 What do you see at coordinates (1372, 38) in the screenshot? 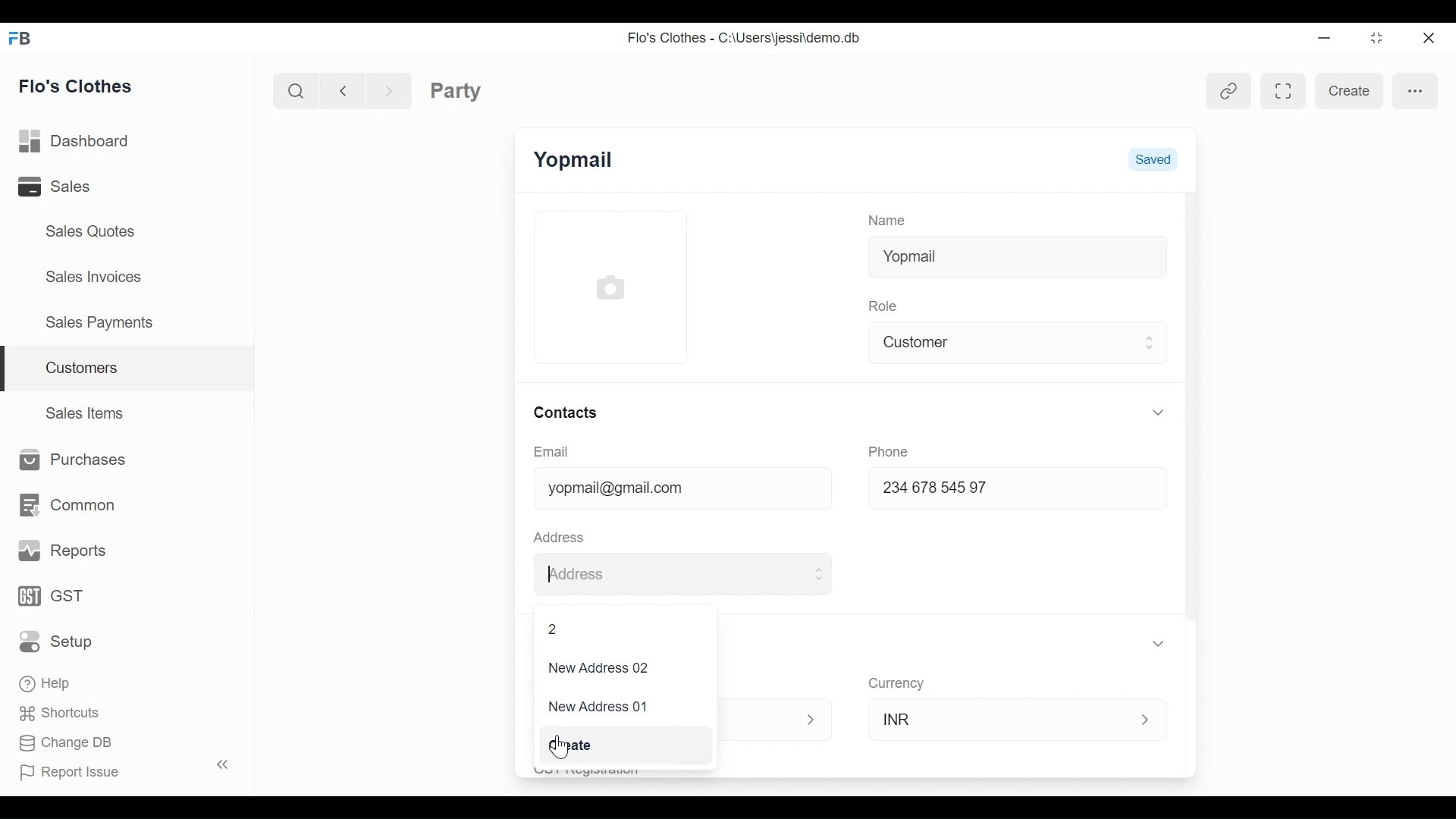
I see `Restore` at bounding box center [1372, 38].